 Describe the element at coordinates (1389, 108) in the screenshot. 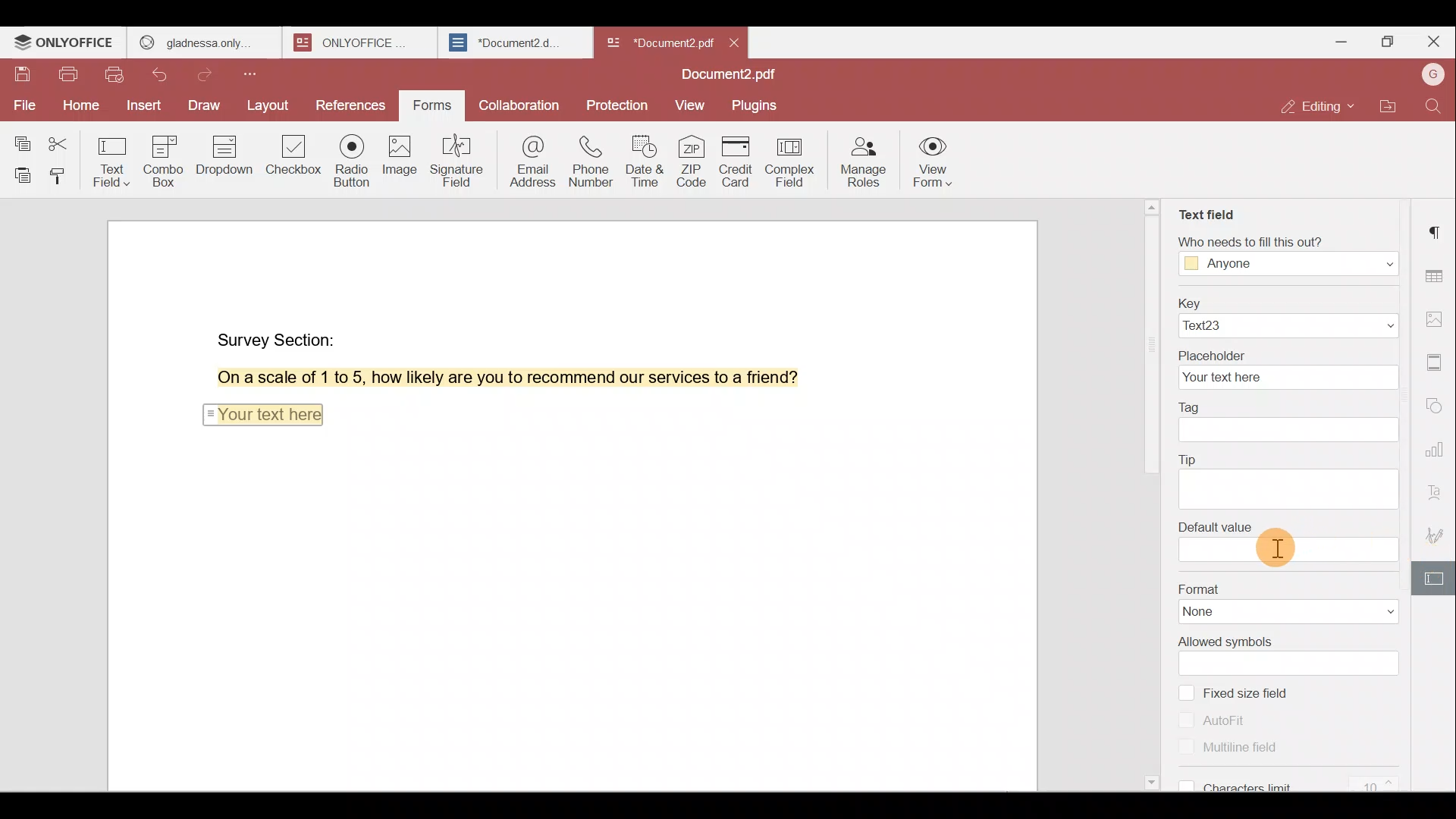

I see `Open file location` at that location.